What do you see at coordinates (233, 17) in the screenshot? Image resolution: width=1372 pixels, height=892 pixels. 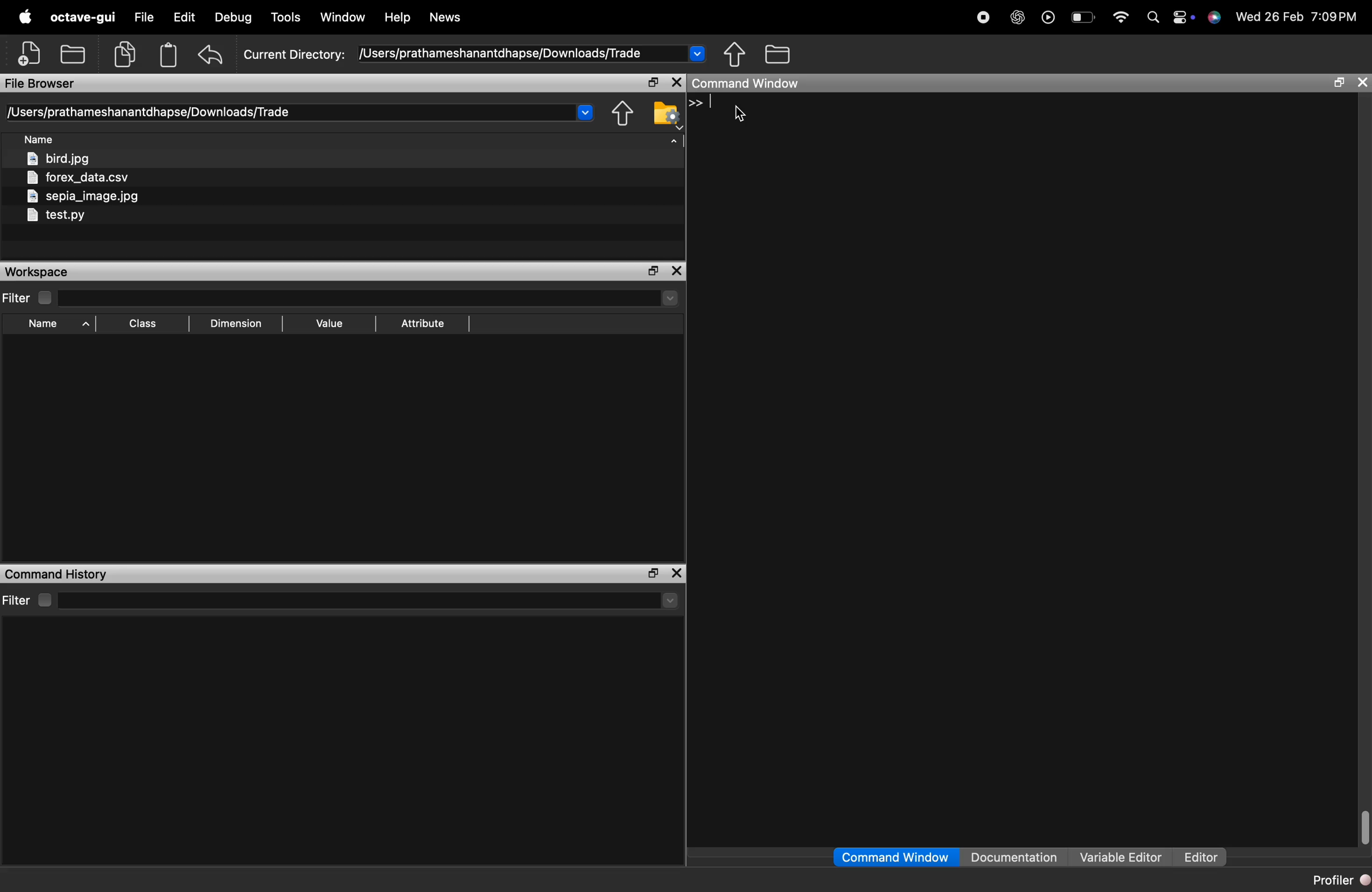 I see `Debug` at bounding box center [233, 17].